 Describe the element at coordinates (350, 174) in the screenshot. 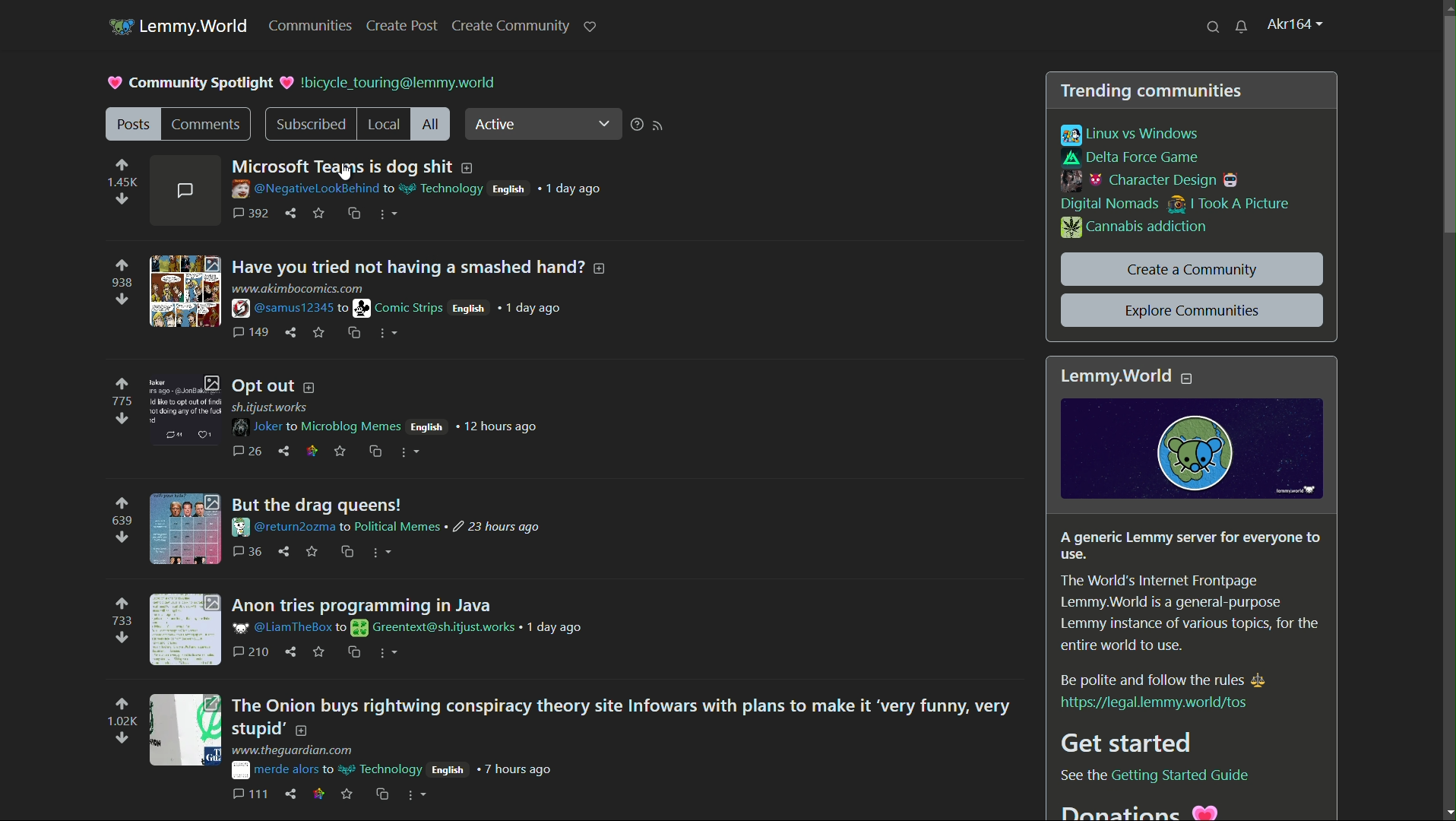

I see `cursor` at that location.